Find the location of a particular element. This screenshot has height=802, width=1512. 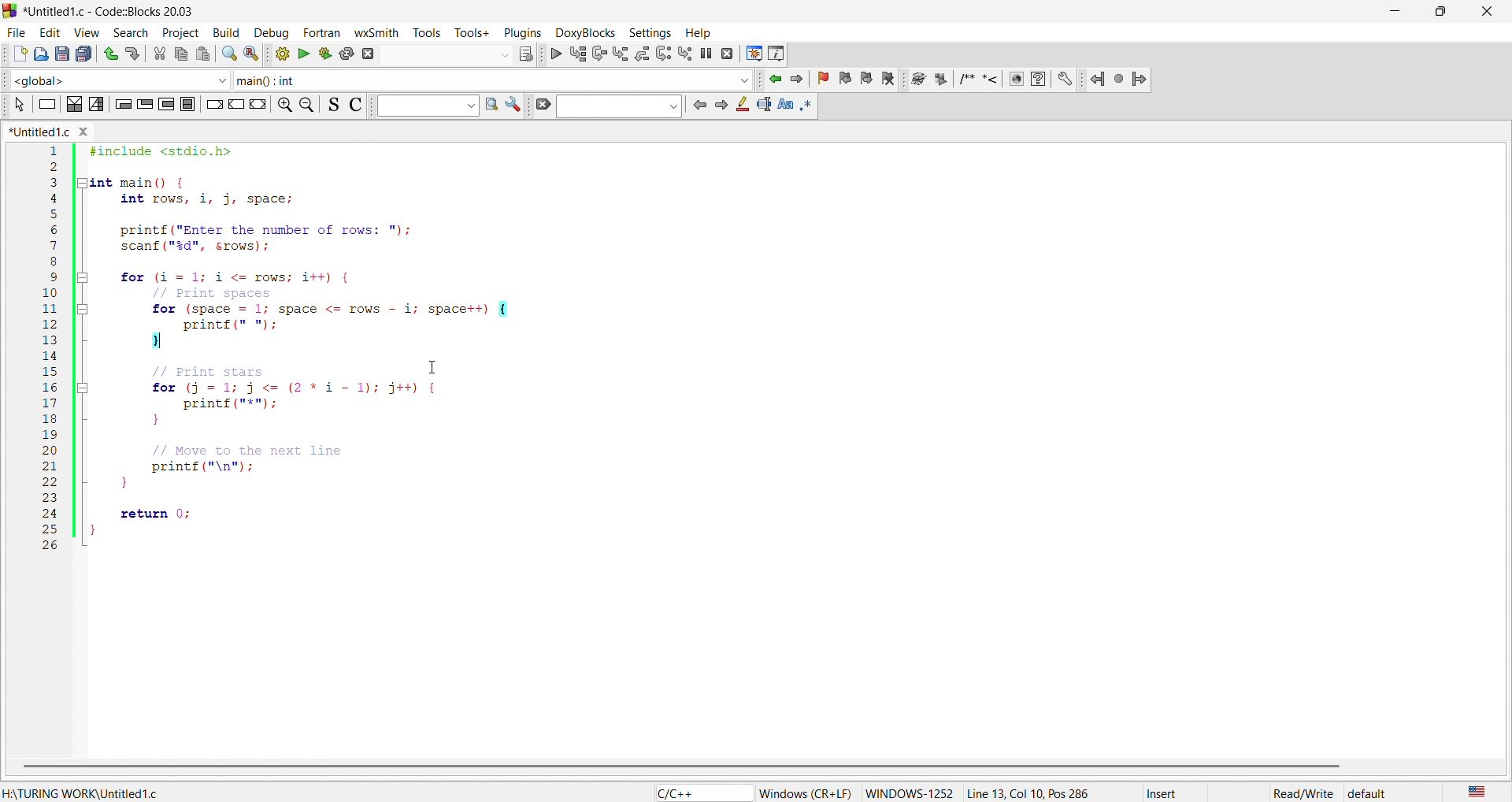

selected text is located at coordinates (763, 106).